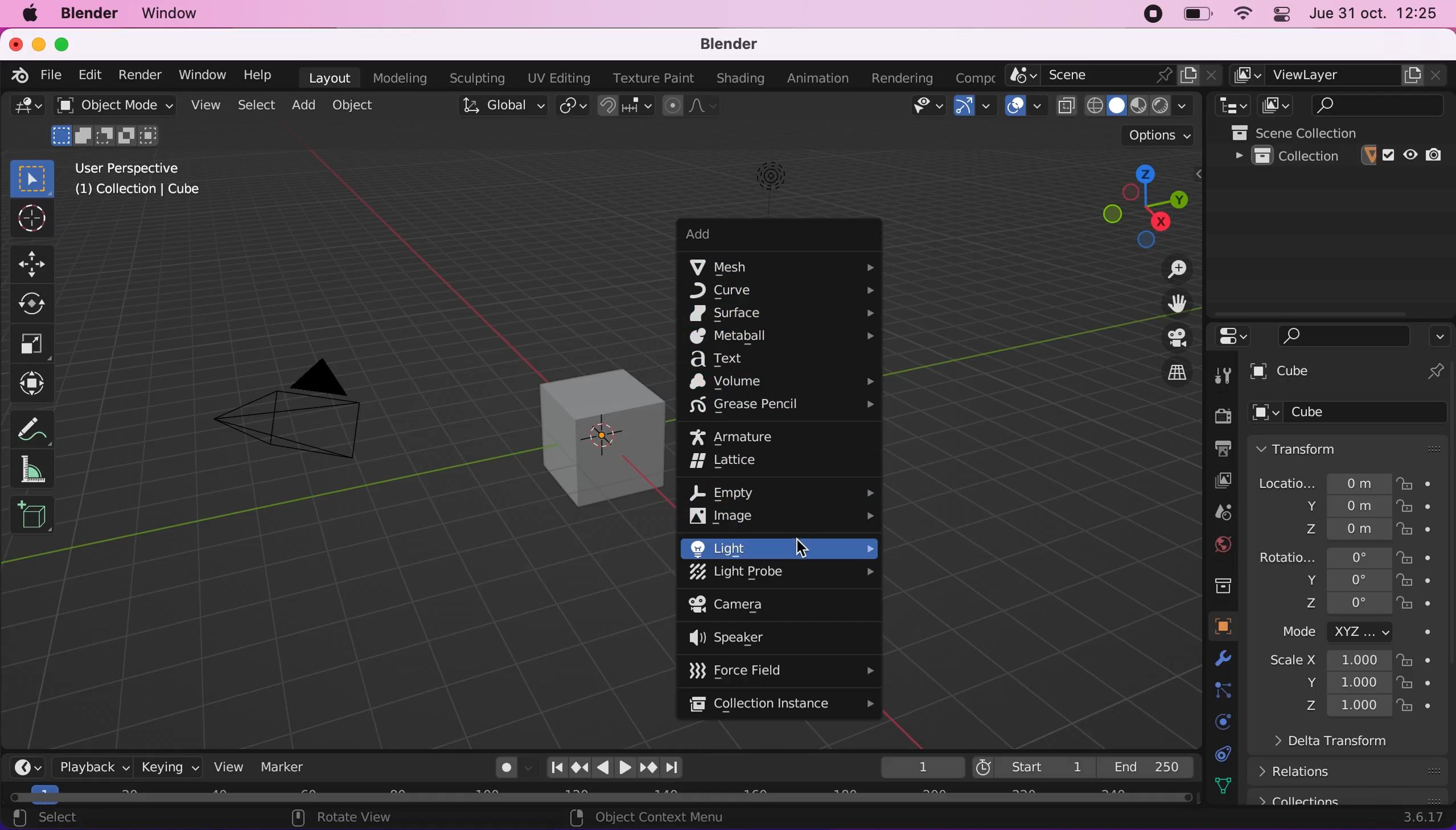 The image size is (1456, 830). What do you see at coordinates (676, 768) in the screenshot?
I see `Jump to endpoint` at bounding box center [676, 768].